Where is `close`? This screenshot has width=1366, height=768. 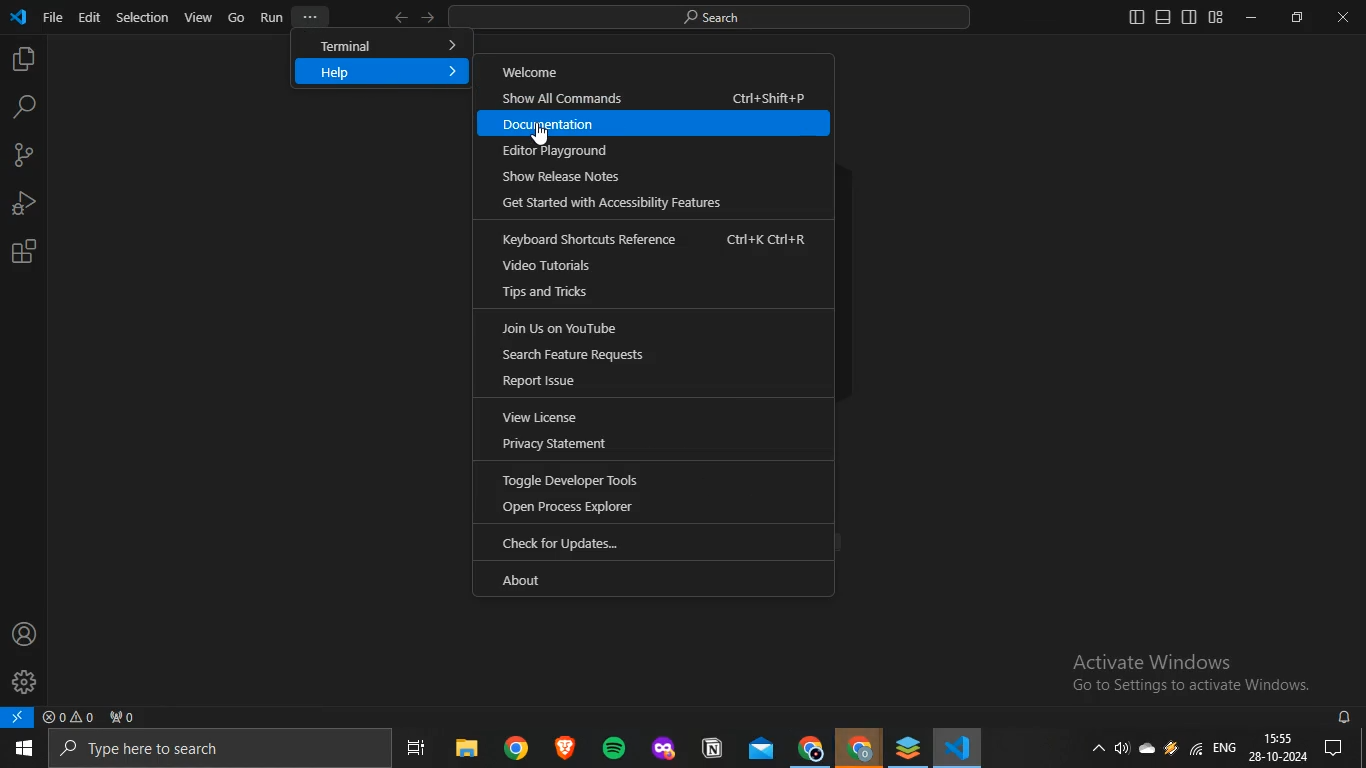
close is located at coordinates (1343, 17).